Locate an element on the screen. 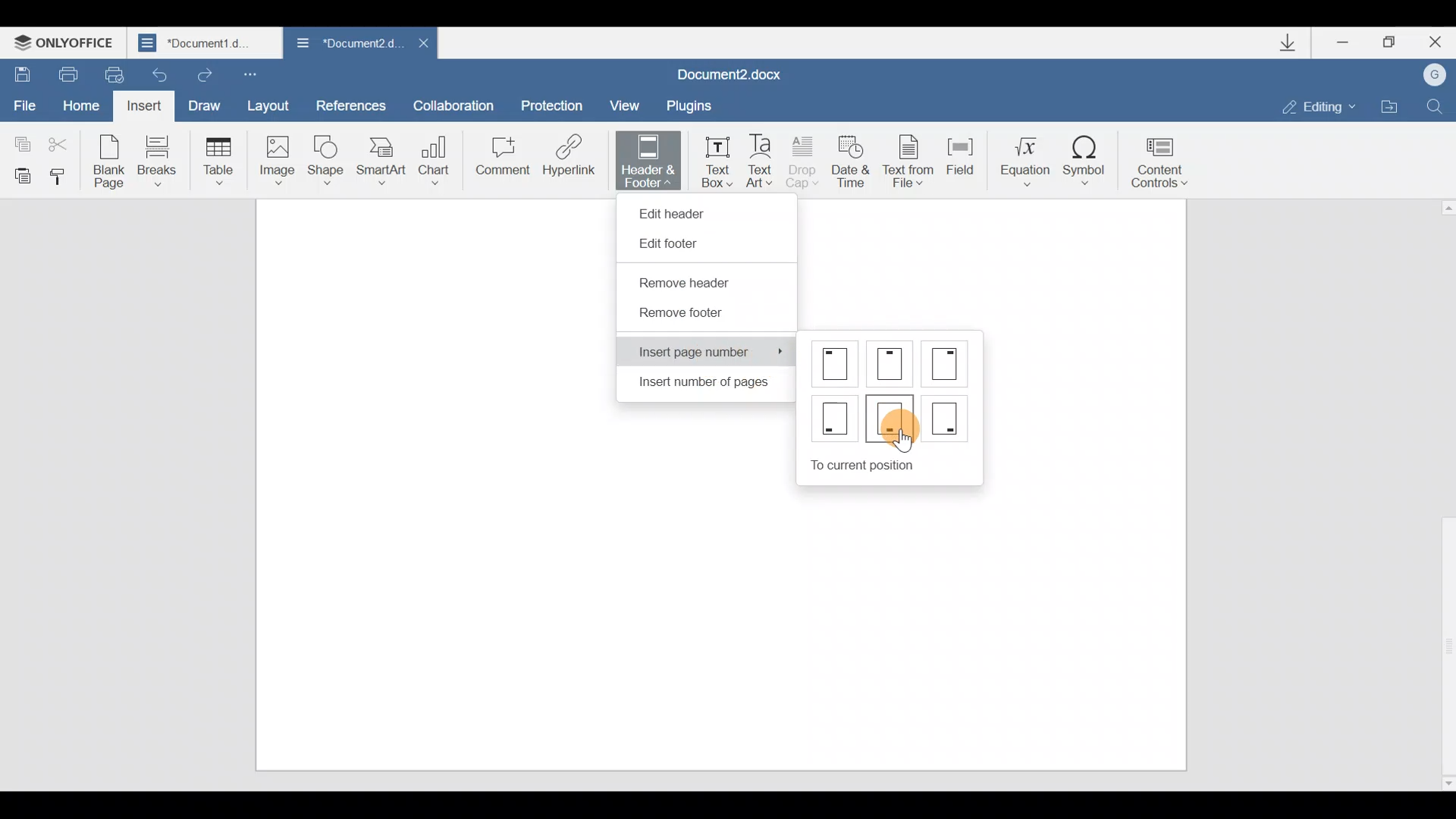 This screenshot has width=1456, height=819. Chart is located at coordinates (437, 155).